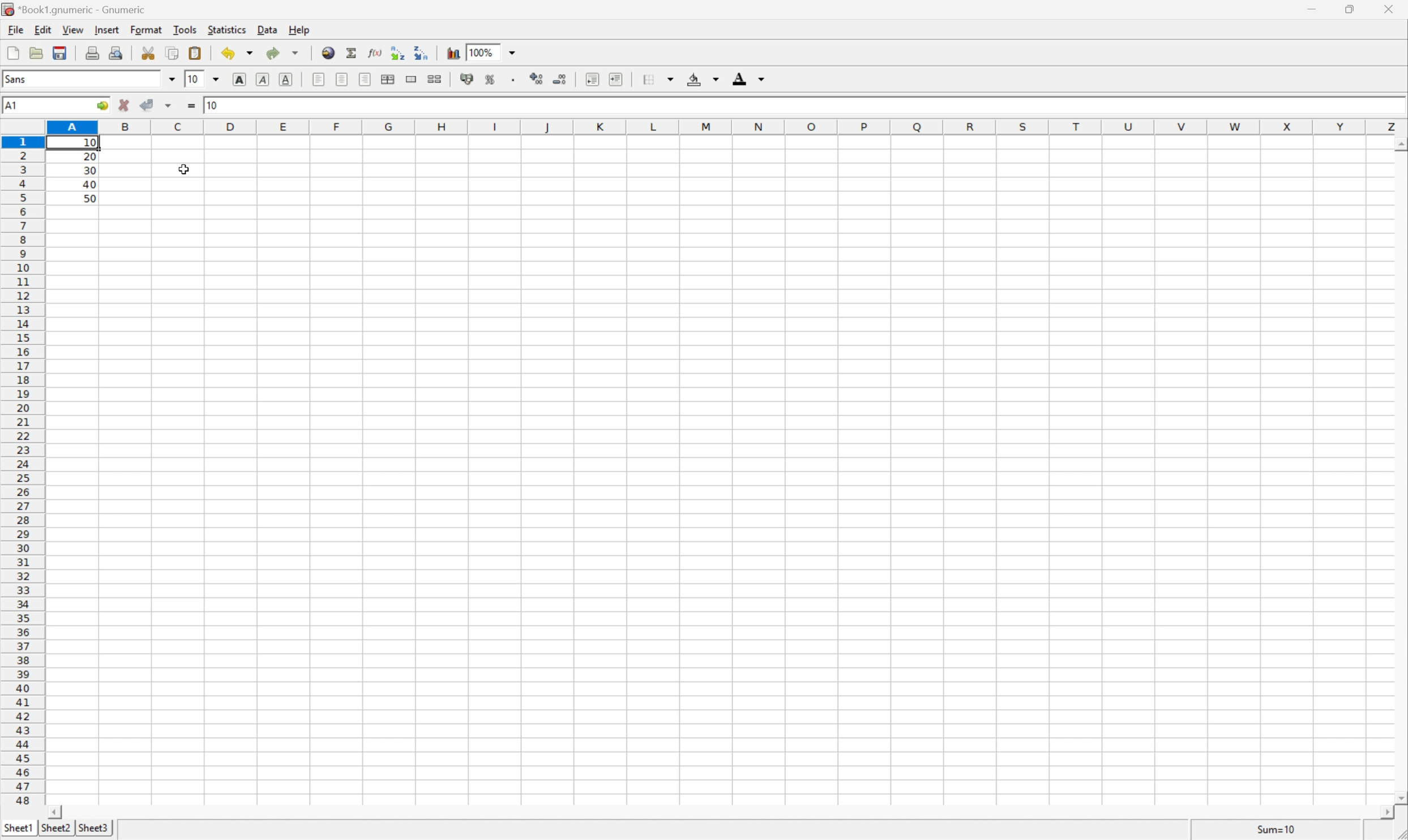  I want to click on Sort the selected region in descending order based on the first column selected, so click(423, 53).